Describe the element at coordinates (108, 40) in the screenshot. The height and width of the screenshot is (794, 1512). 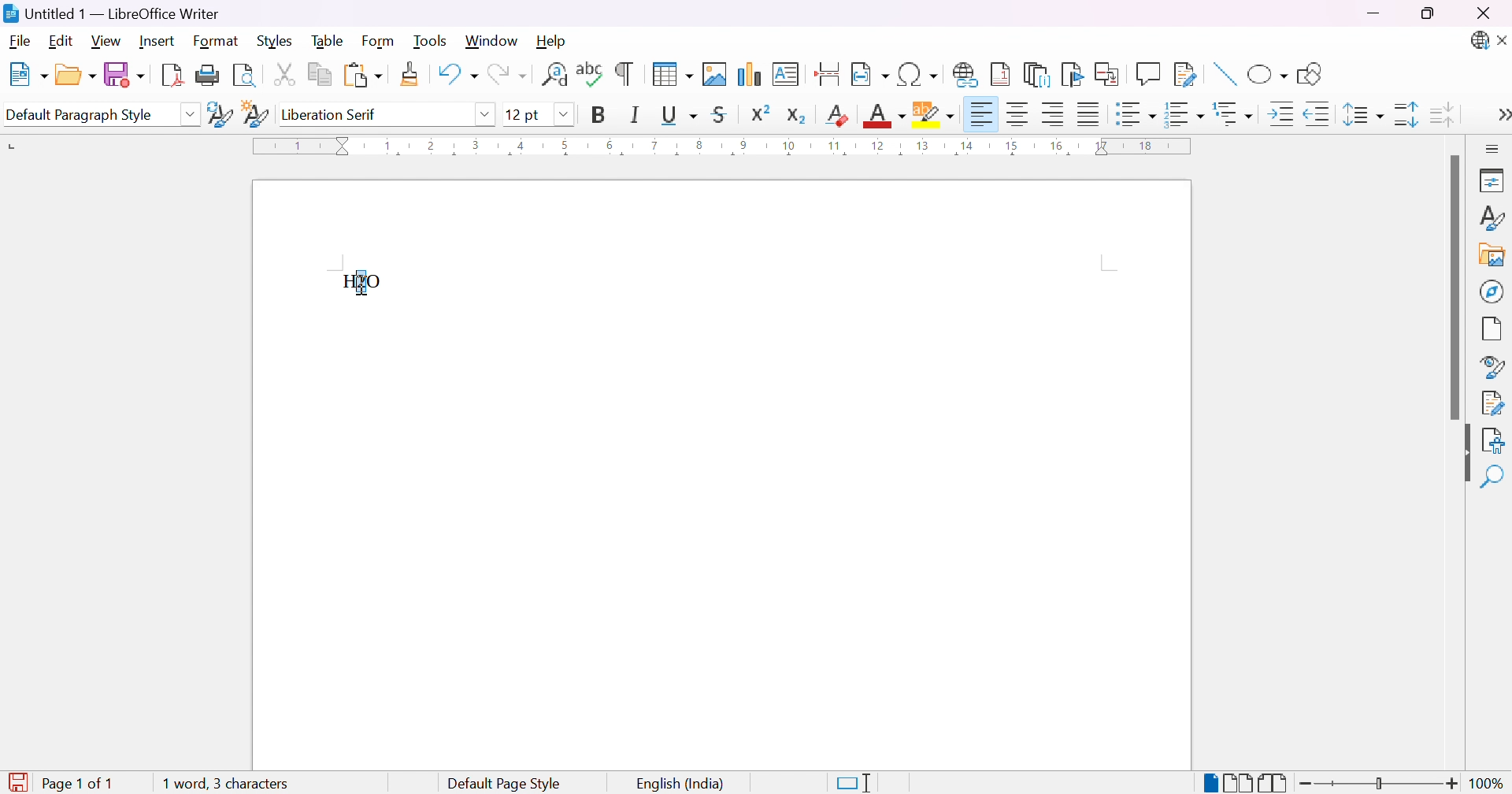
I see `View` at that location.